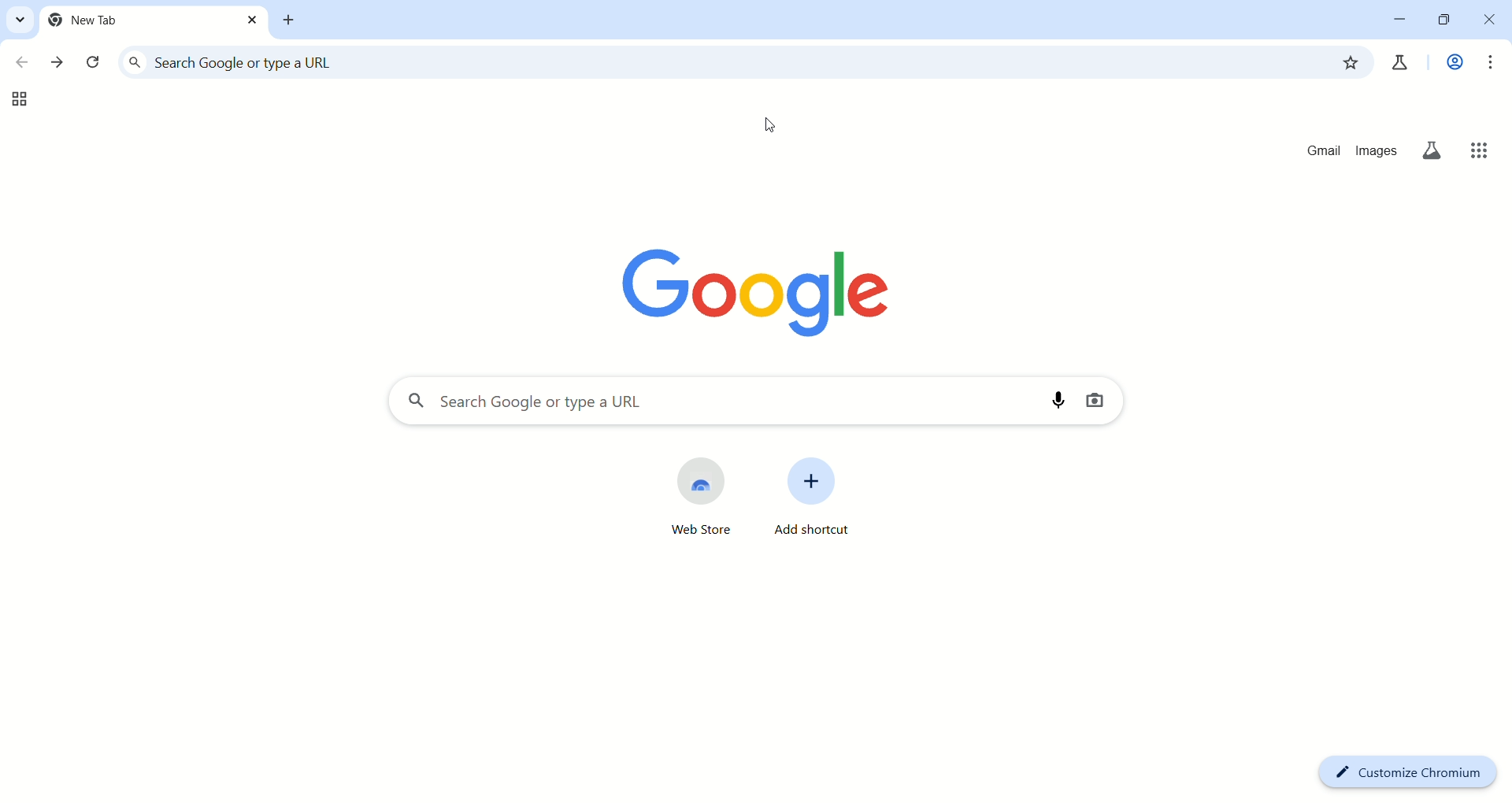 The width and height of the screenshot is (1512, 803). What do you see at coordinates (1410, 772) in the screenshot?
I see `customize chromium` at bounding box center [1410, 772].